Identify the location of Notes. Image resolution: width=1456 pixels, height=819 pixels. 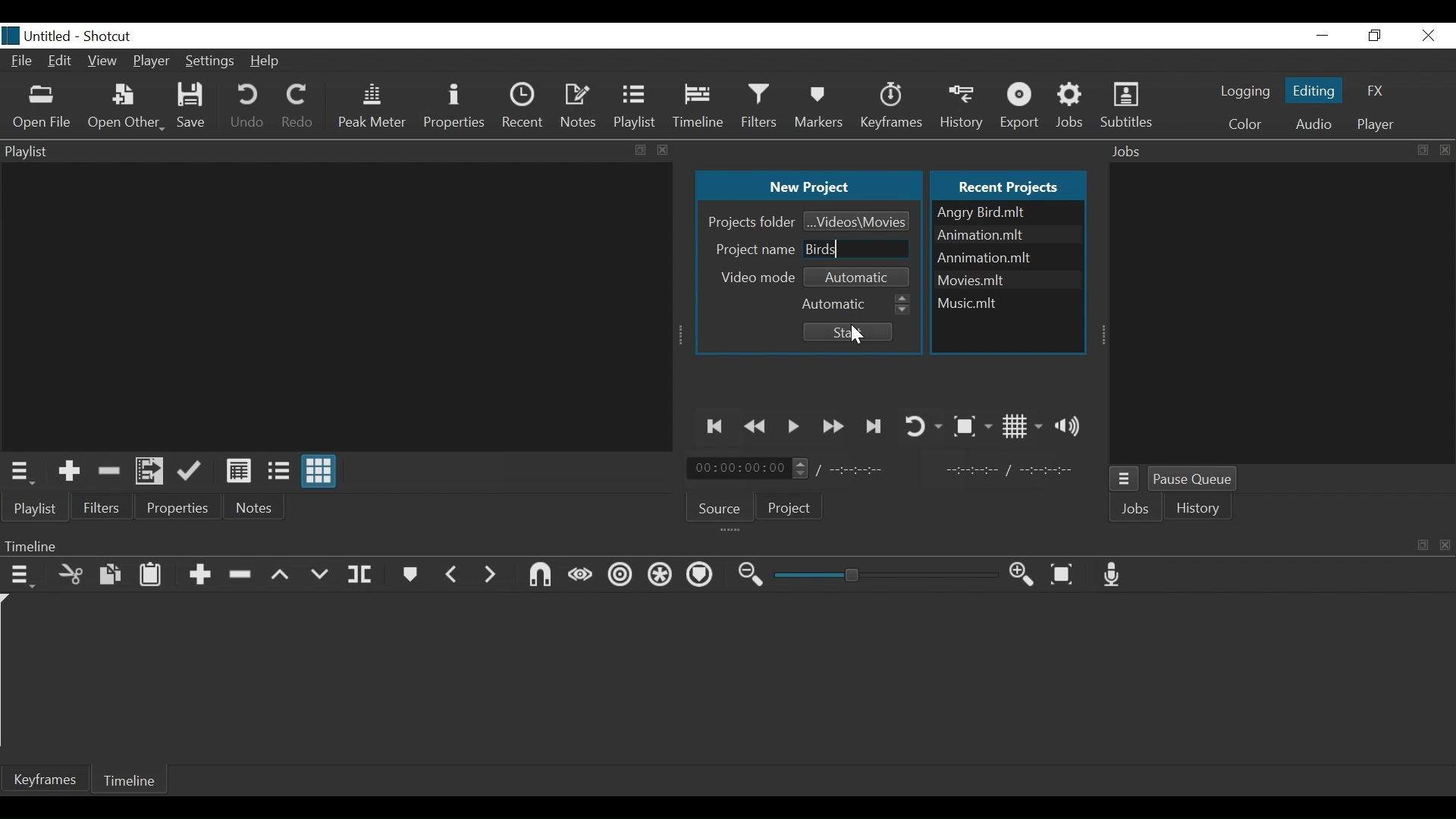
(579, 104).